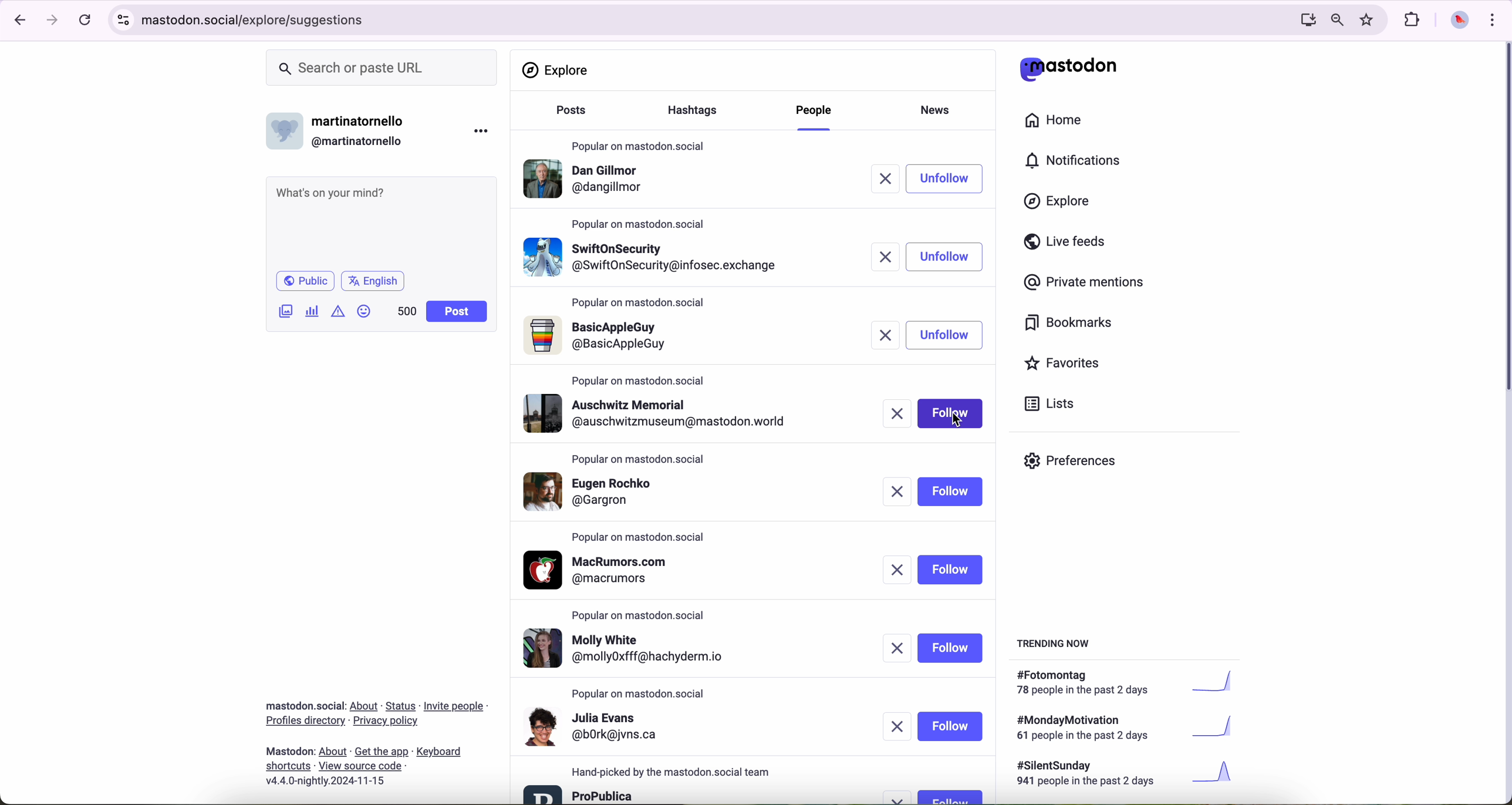 This screenshot has width=1512, height=805. Describe the element at coordinates (1045, 403) in the screenshot. I see `lists` at that location.